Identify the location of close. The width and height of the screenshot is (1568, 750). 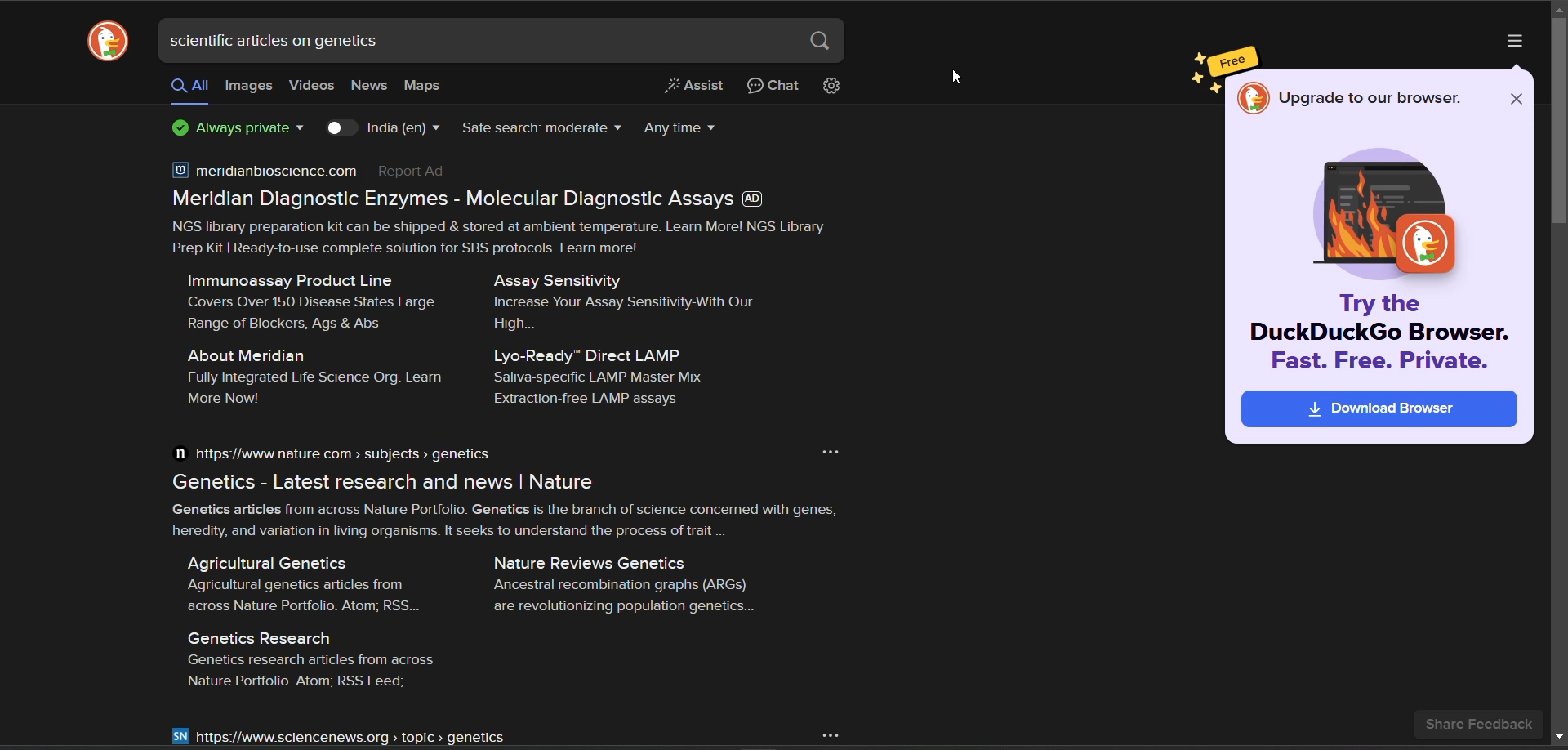
(1517, 101).